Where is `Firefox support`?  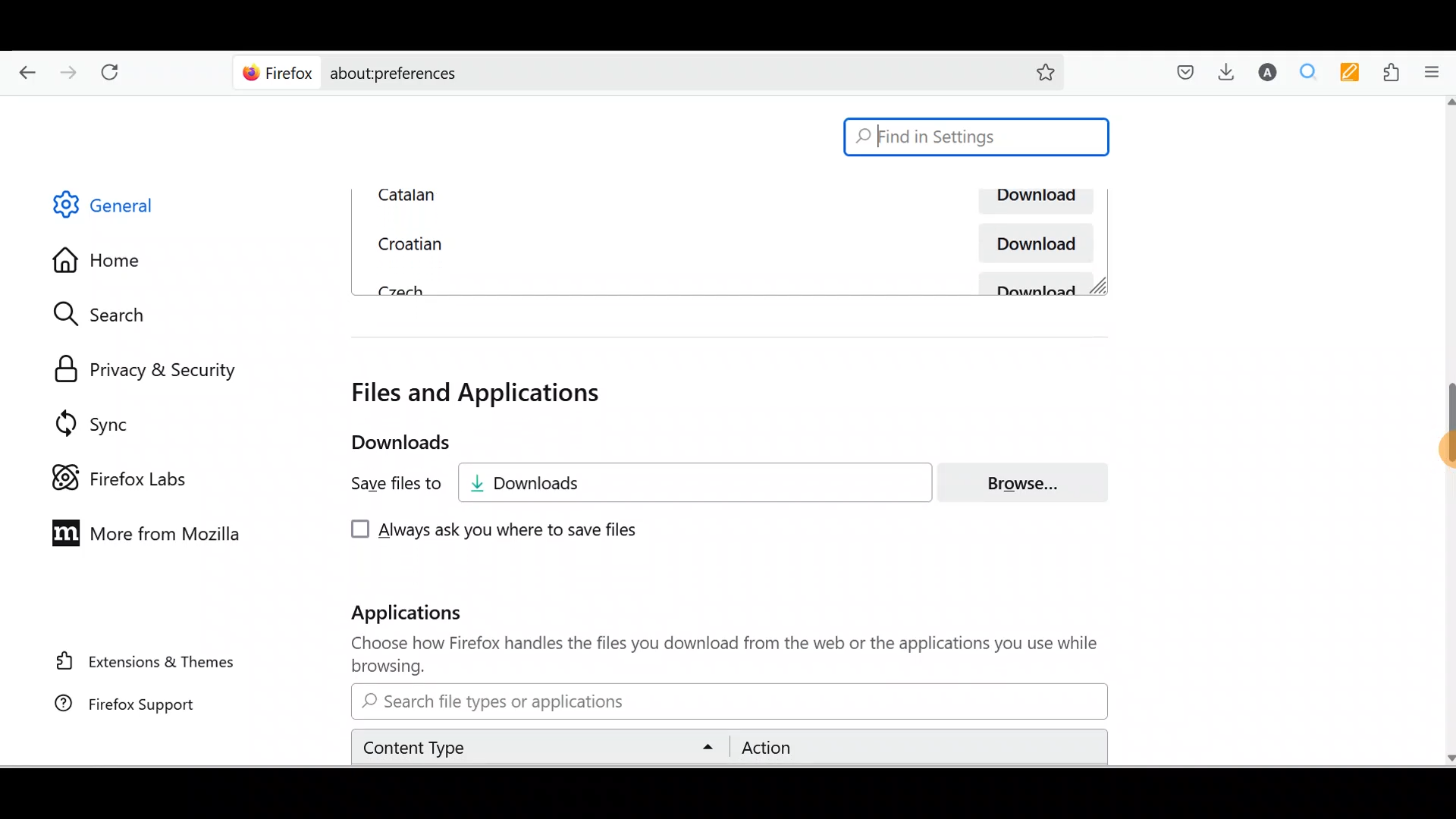
Firefox support is located at coordinates (121, 705).